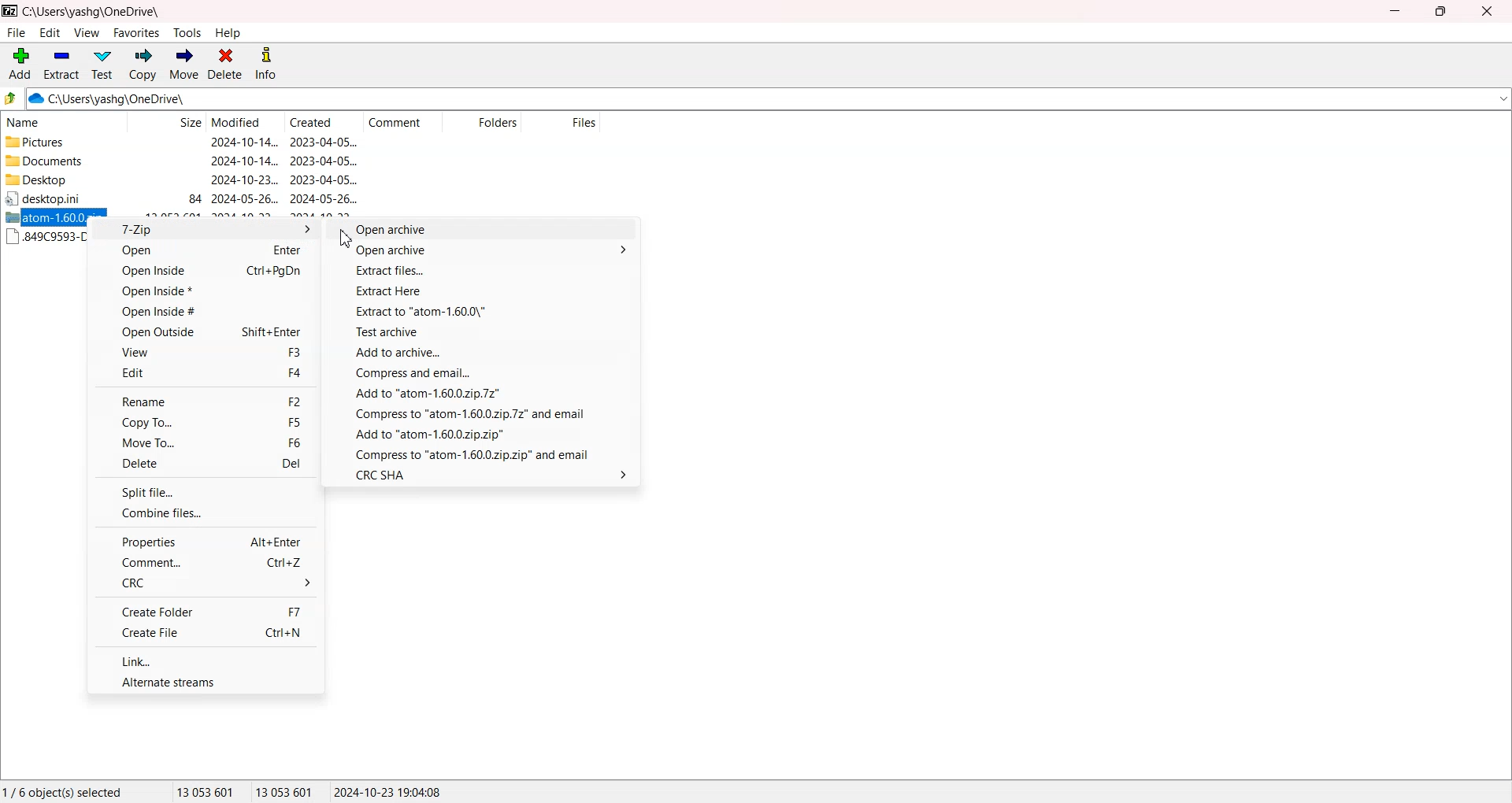 This screenshot has width=1512, height=803. Describe the element at coordinates (1502, 99) in the screenshot. I see `Dropdown box for path address` at that location.